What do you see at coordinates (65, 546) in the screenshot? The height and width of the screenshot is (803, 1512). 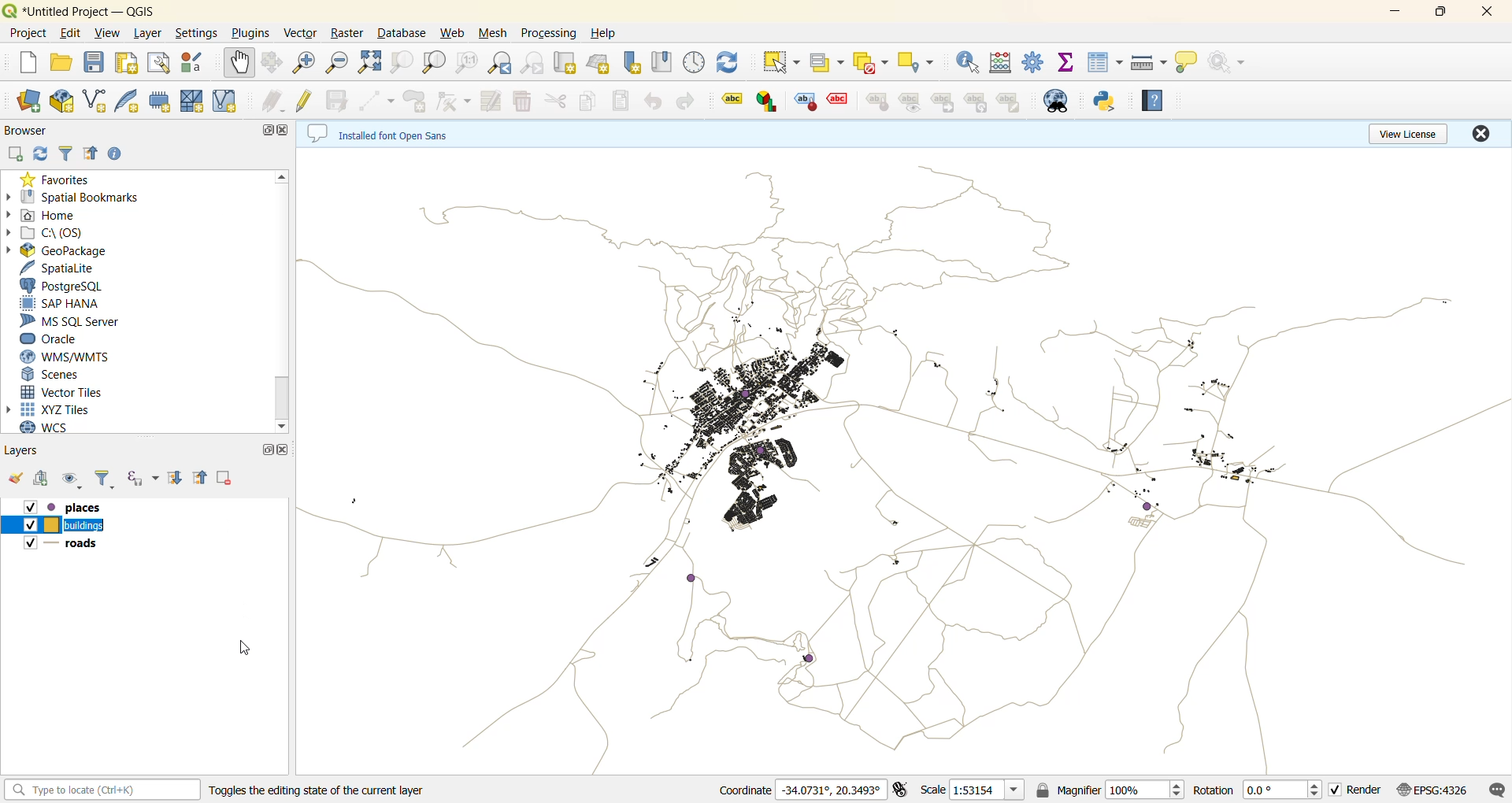 I see `roads` at bounding box center [65, 546].